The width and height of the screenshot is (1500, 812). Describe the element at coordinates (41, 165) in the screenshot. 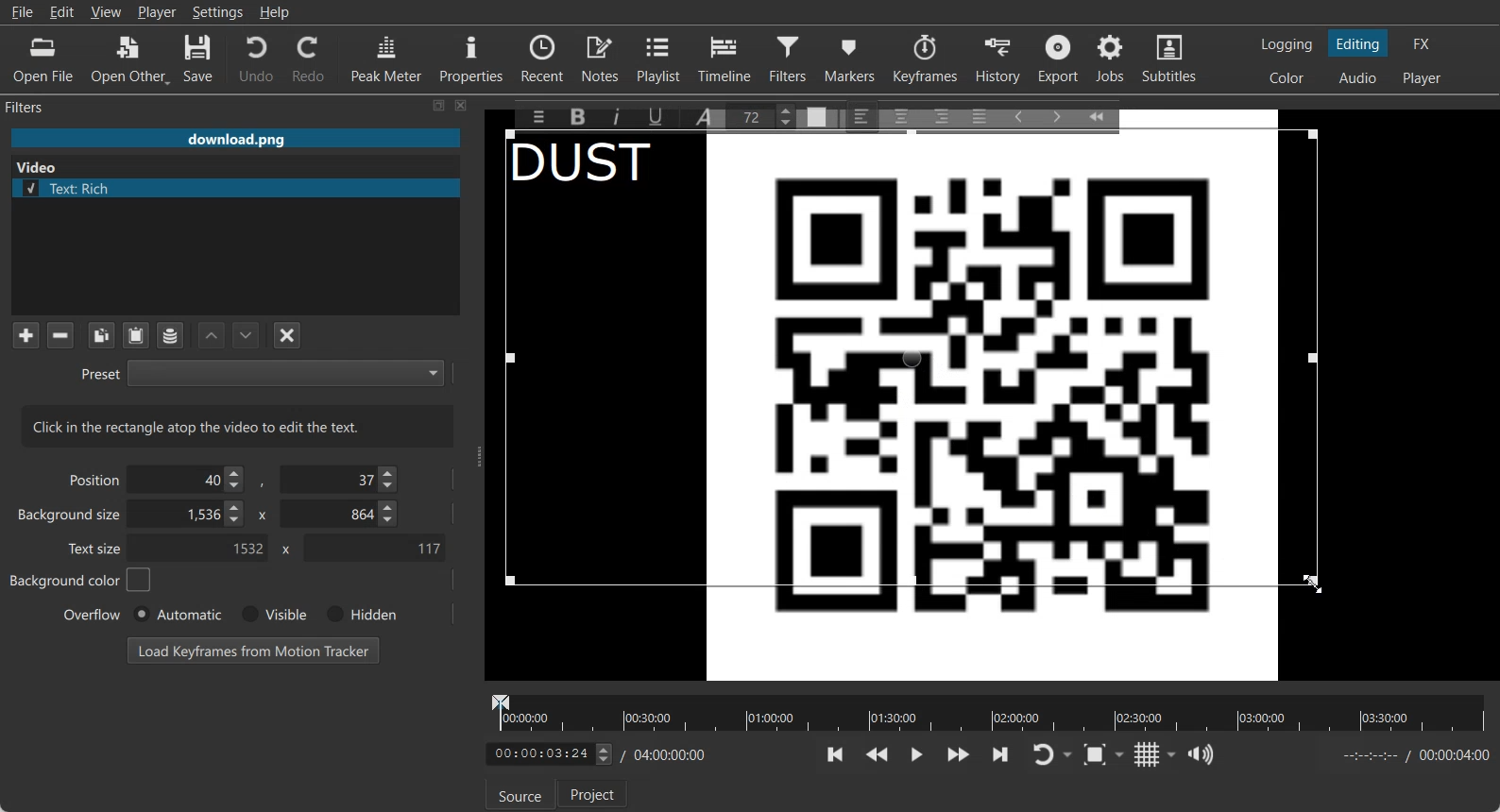

I see `Video` at that location.